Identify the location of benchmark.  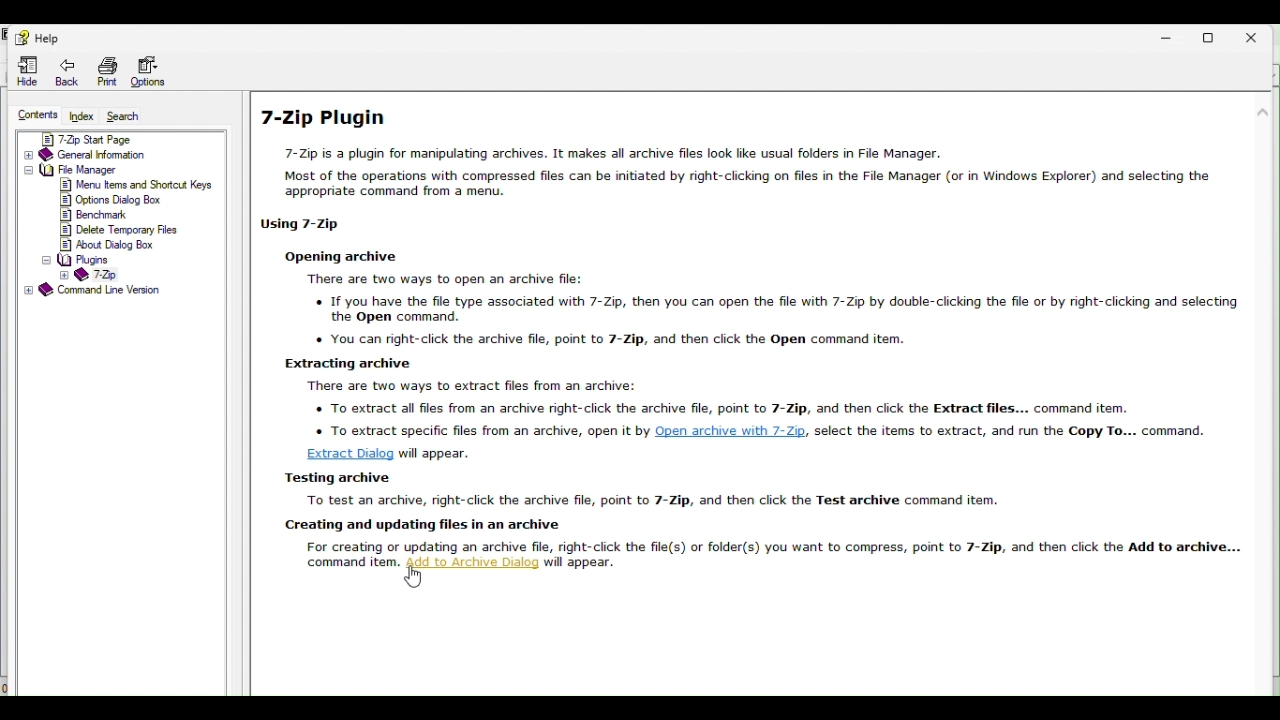
(101, 214).